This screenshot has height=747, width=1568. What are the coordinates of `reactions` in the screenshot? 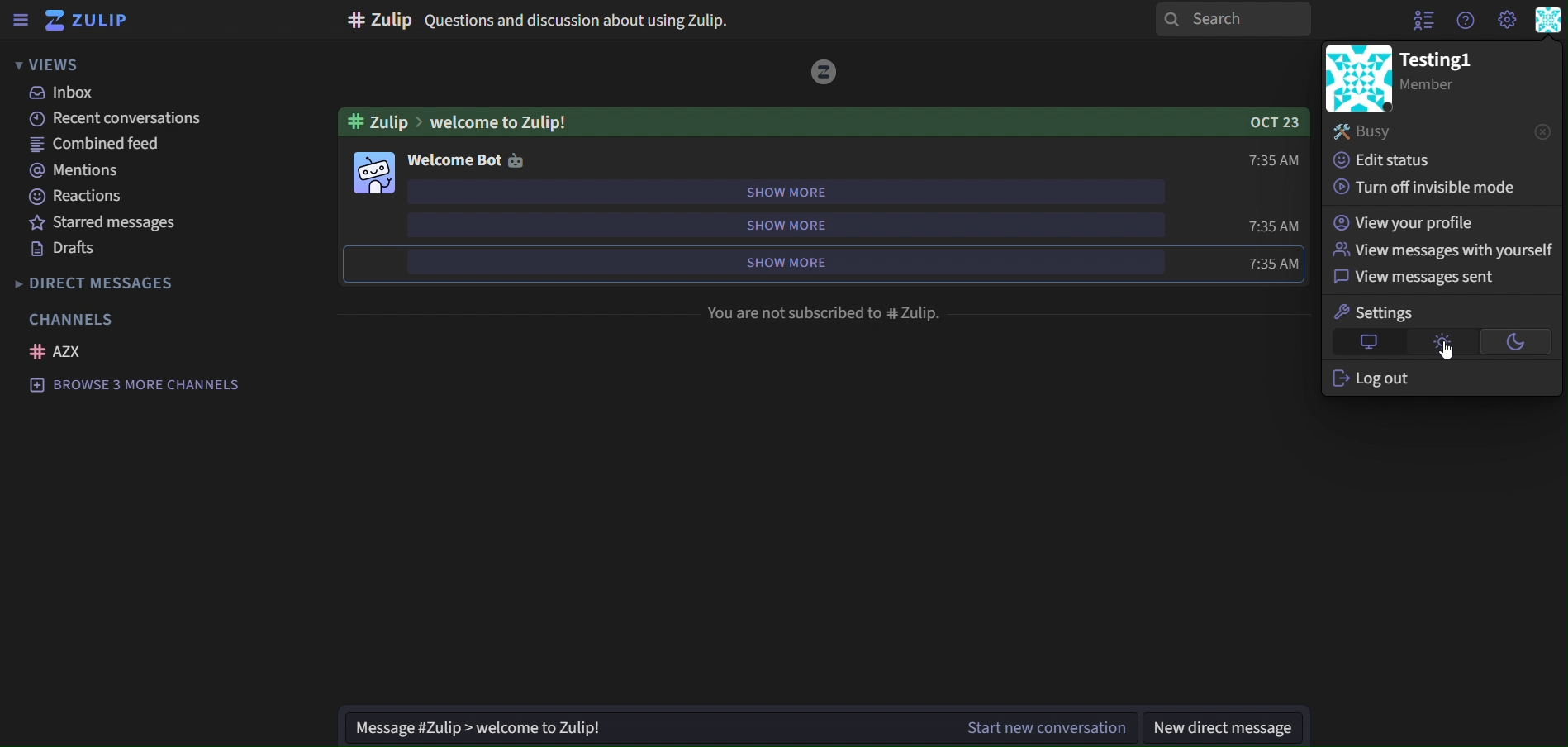 It's located at (74, 198).